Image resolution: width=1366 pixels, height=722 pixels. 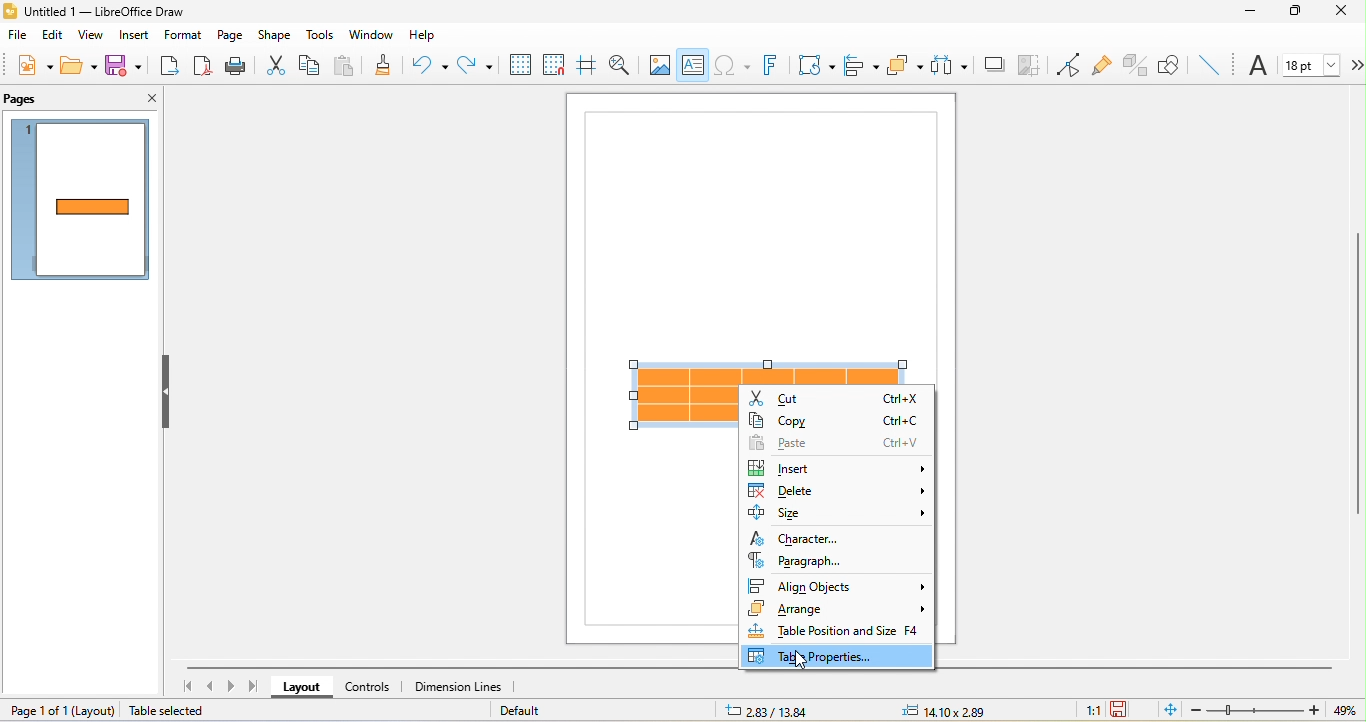 I want to click on cursor movement, so click(x=806, y=662).